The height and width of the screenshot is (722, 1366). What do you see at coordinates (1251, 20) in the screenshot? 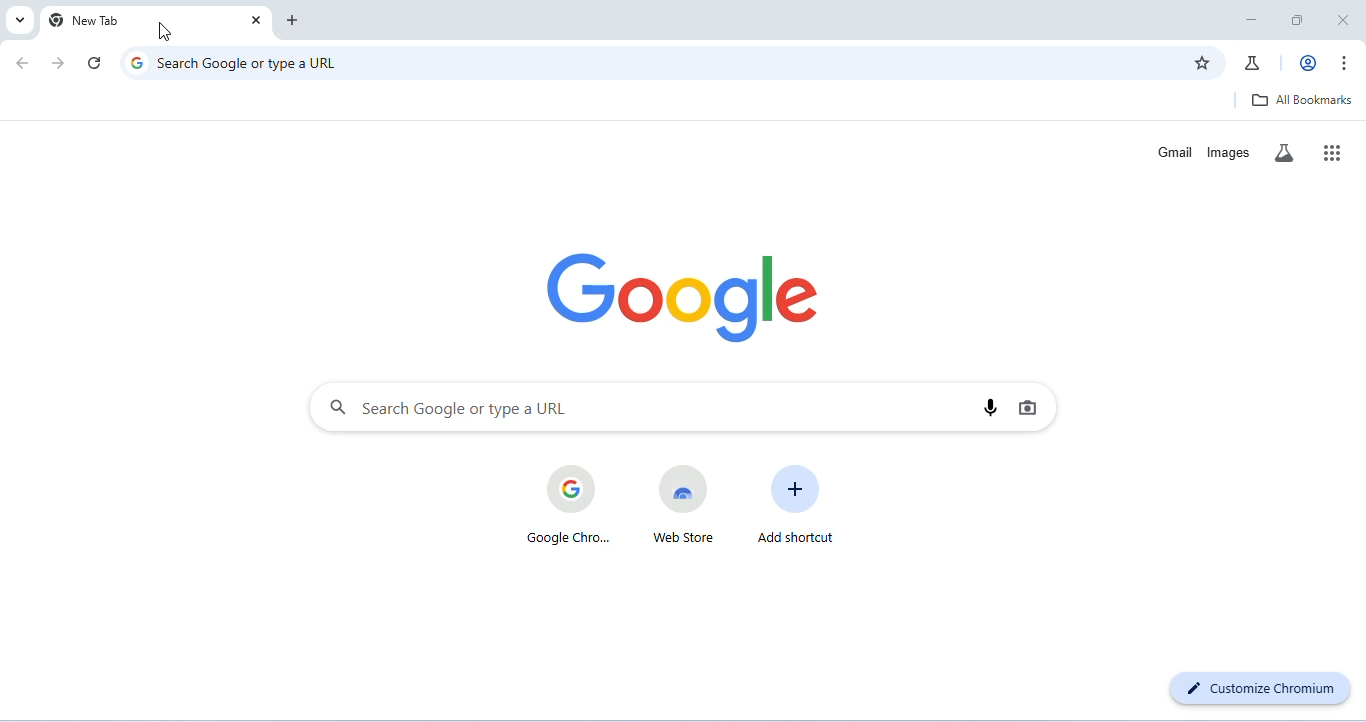
I see `minimize` at bounding box center [1251, 20].